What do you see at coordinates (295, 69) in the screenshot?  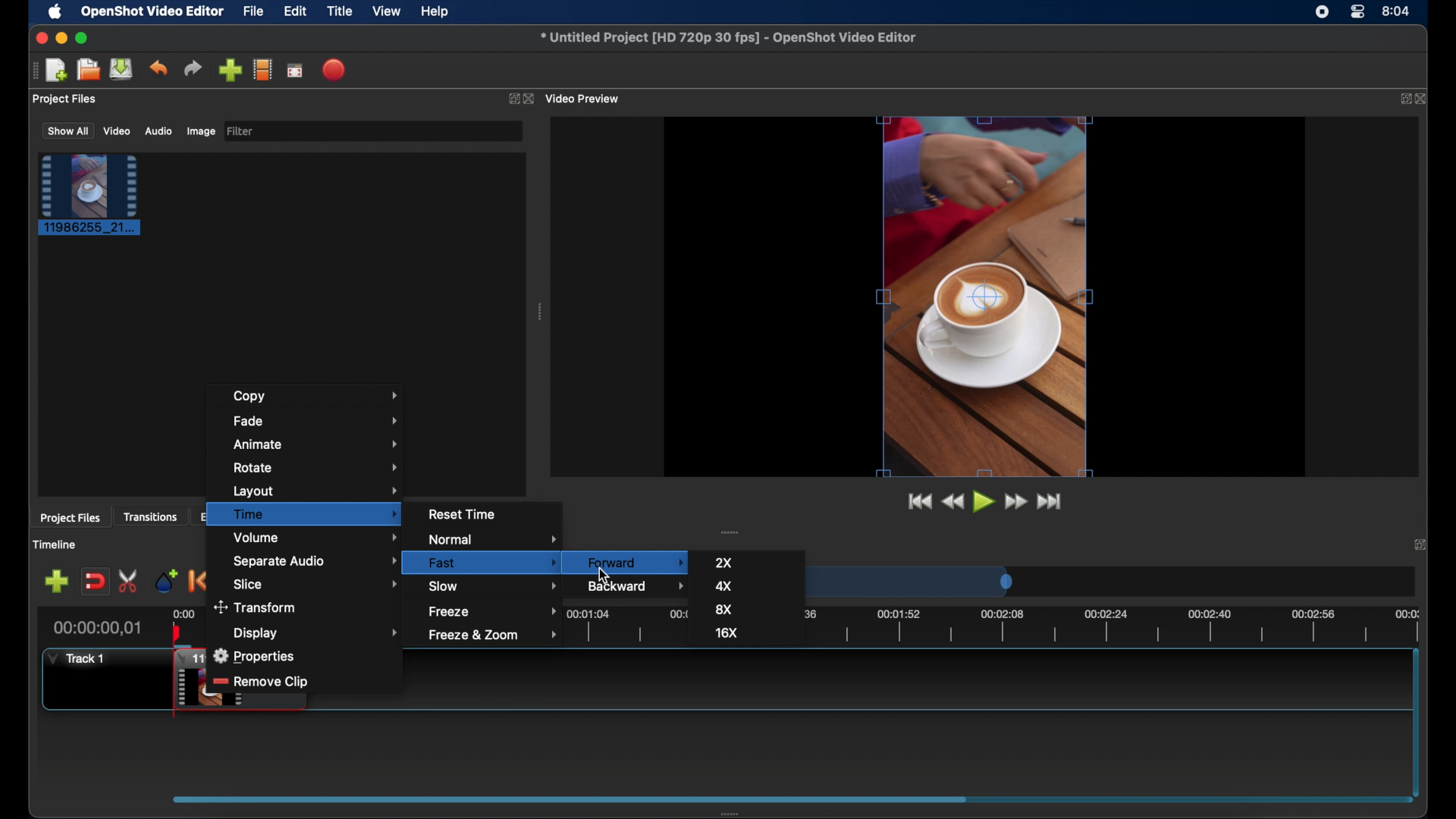 I see `full screen` at bounding box center [295, 69].